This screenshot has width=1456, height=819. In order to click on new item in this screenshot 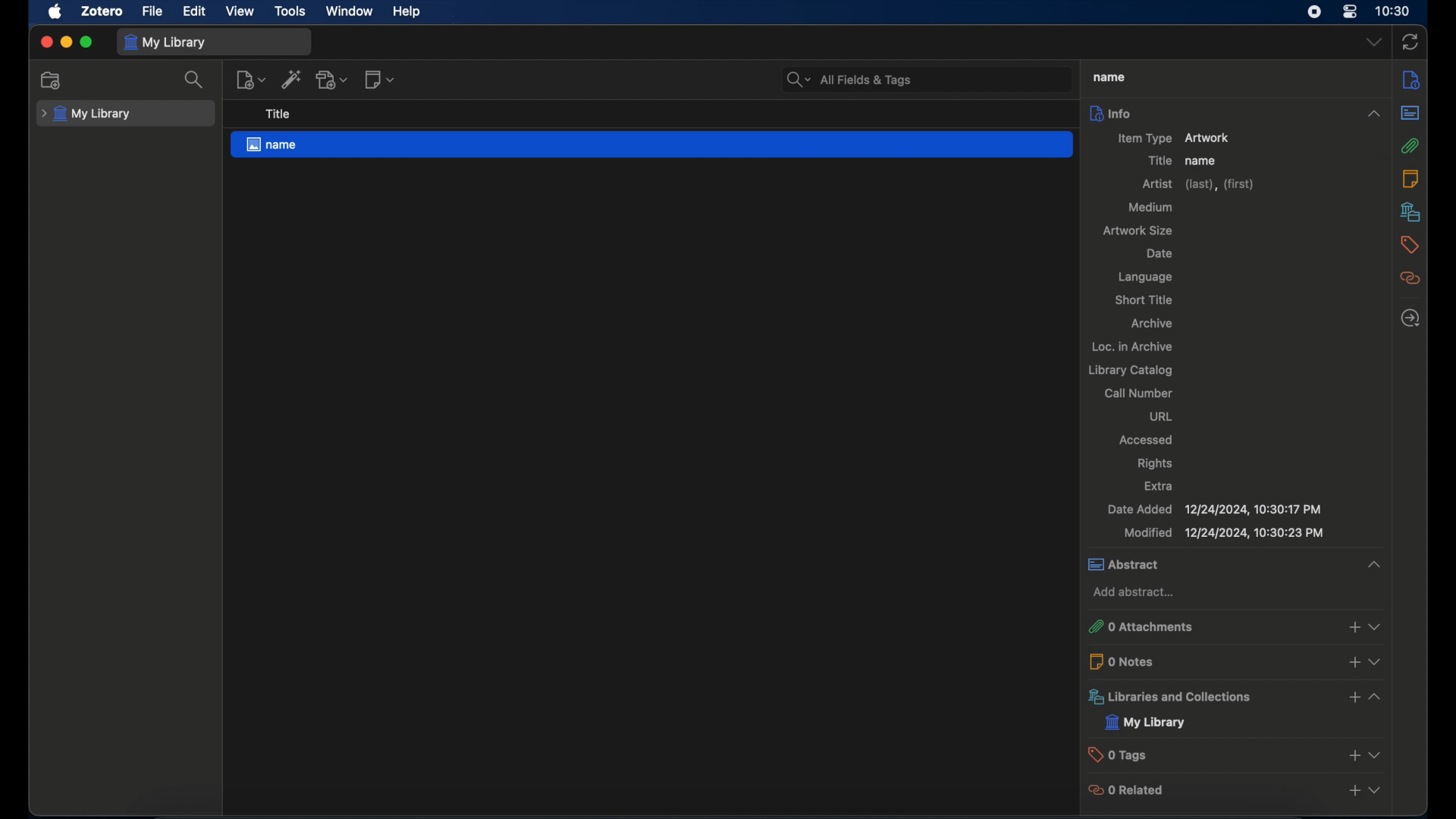, I will do `click(250, 80)`.